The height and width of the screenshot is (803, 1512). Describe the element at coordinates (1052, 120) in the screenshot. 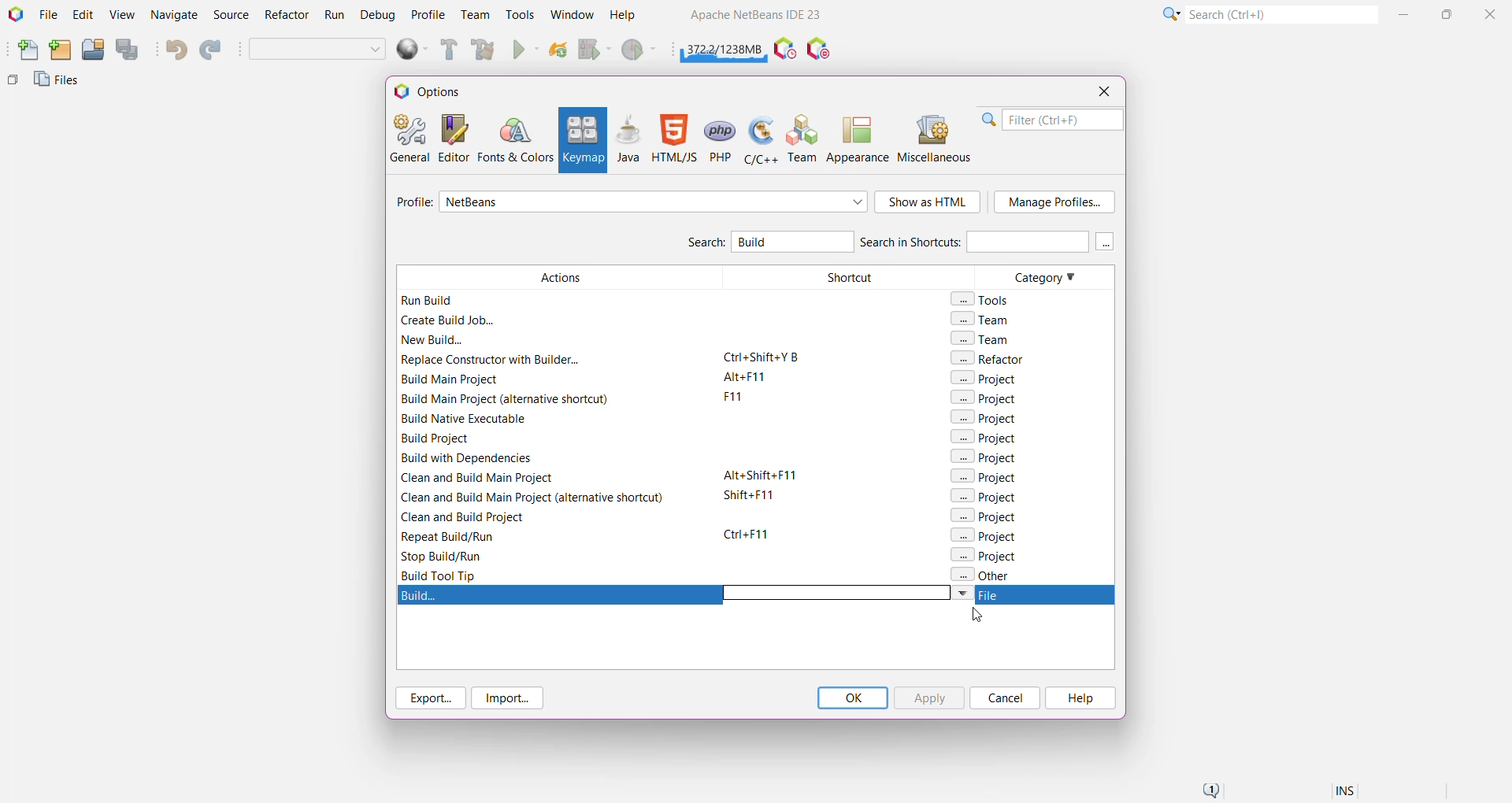

I see `Filter` at that location.